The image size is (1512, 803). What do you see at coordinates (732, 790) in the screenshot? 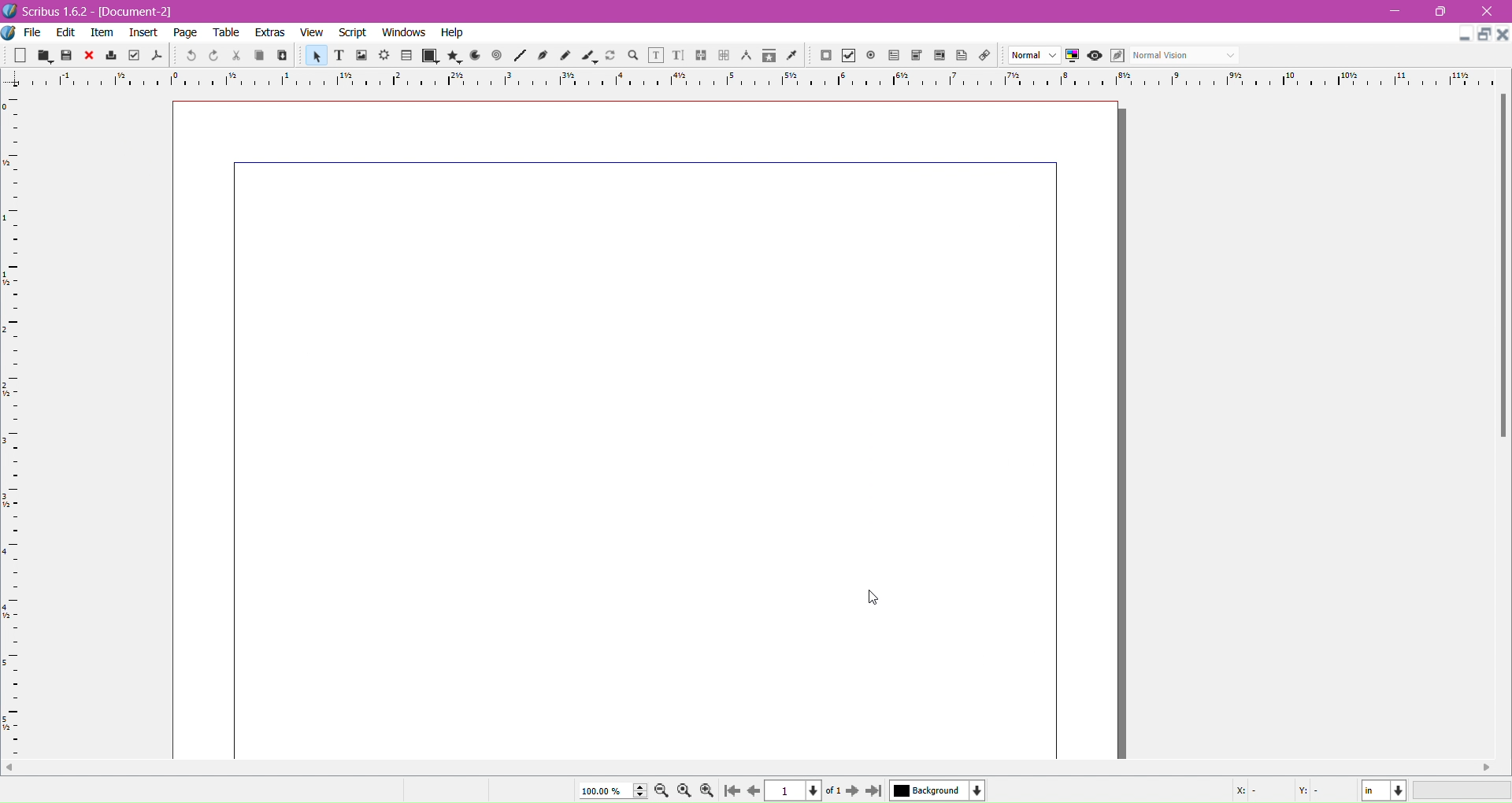
I see `skip to first` at bounding box center [732, 790].